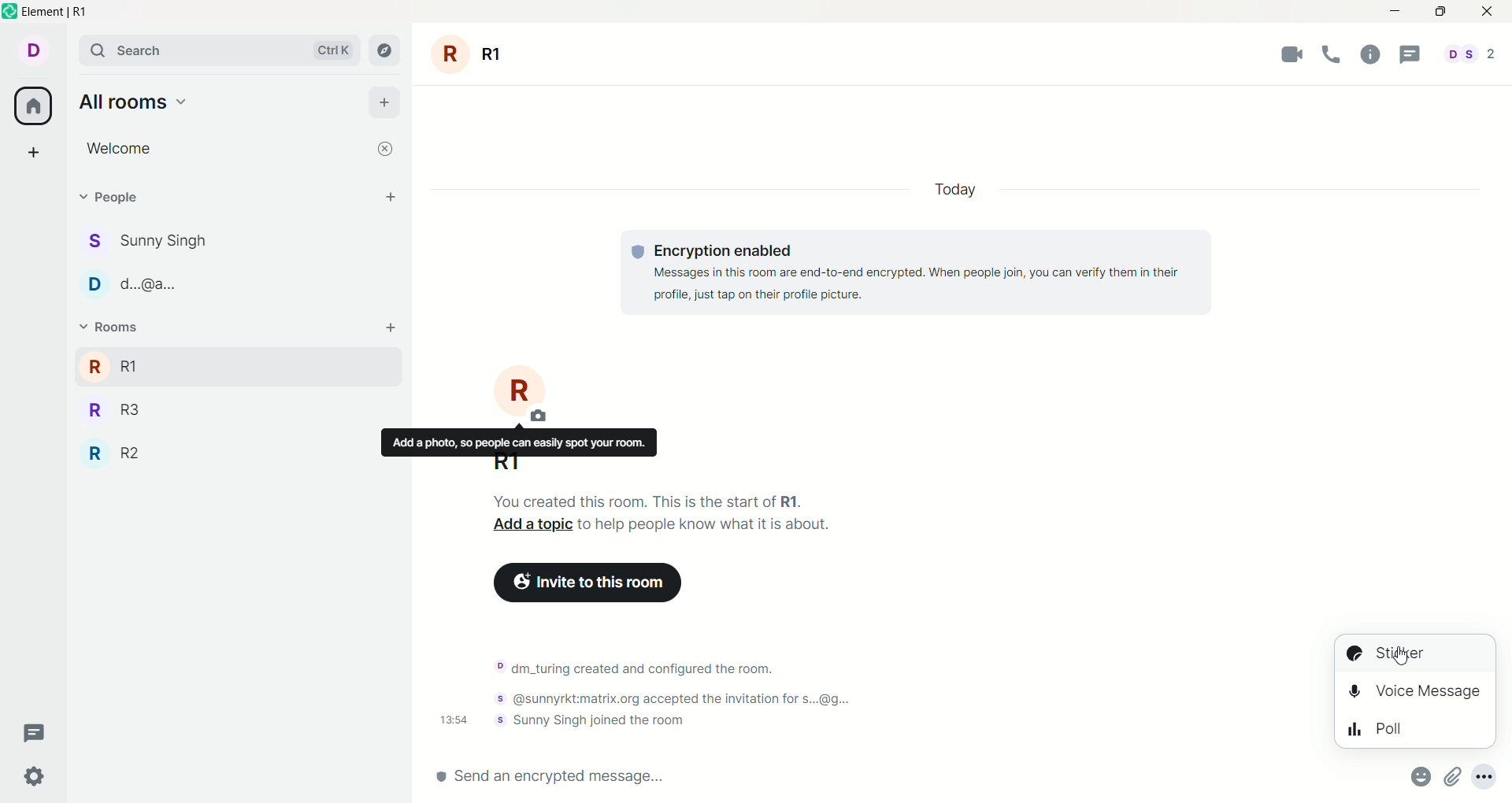 This screenshot has height=803, width=1512. What do you see at coordinates (1400, 656) in the screenshot?
I see `Cursor` at bounding box center [1400, 656].